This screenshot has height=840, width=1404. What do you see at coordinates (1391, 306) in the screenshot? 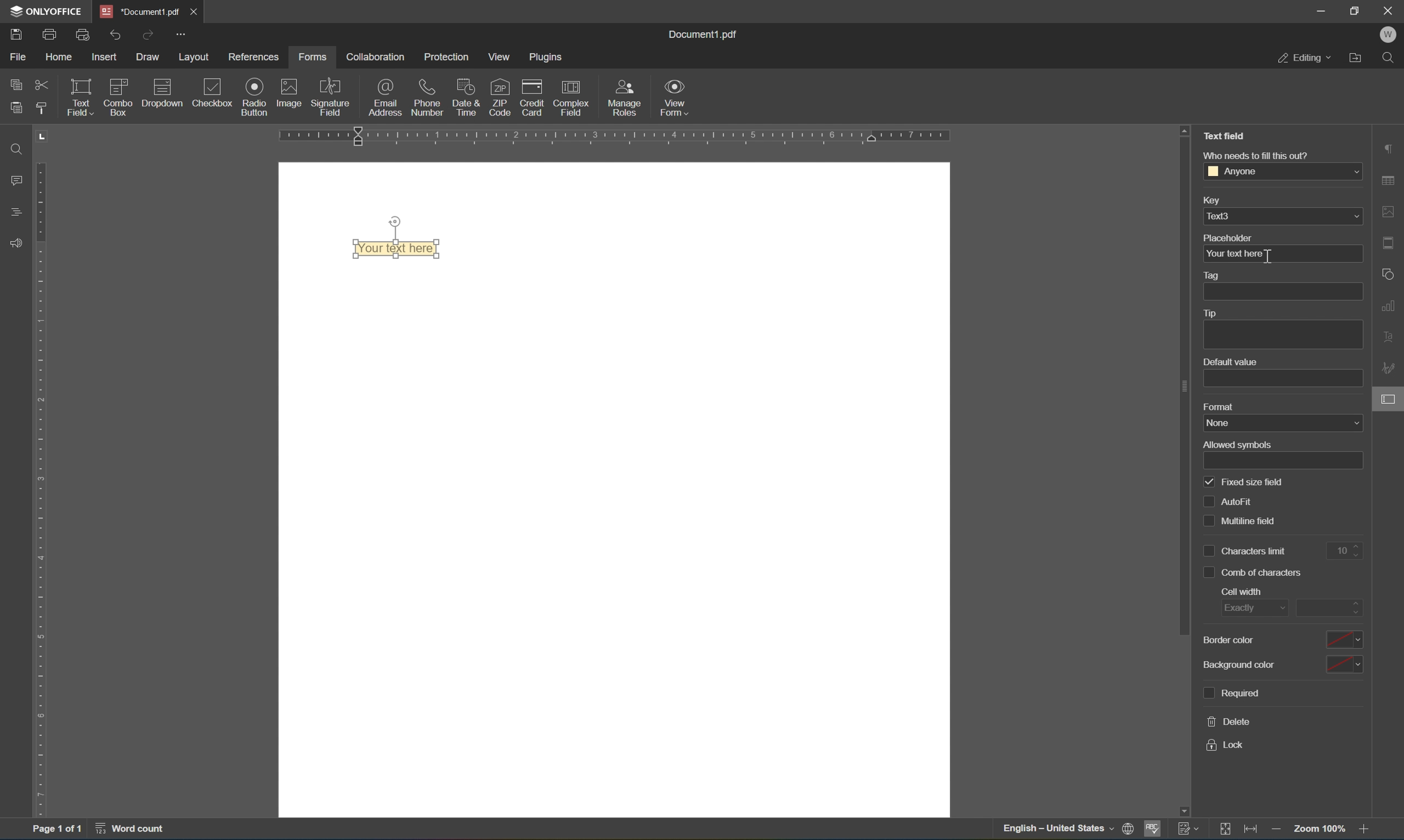
I see `chart settings` at bounding box center [1391, 306].